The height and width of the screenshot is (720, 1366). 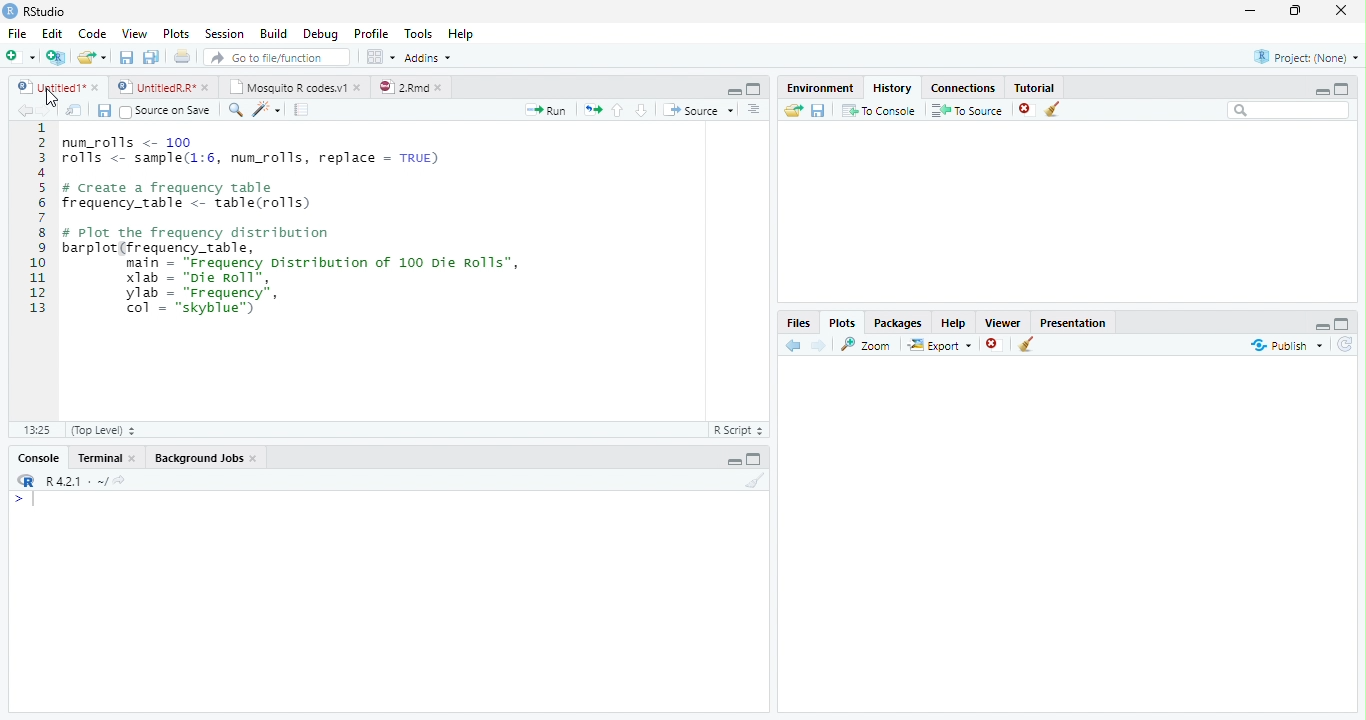 I want to click on Zoom, so click(x=868, y=345).